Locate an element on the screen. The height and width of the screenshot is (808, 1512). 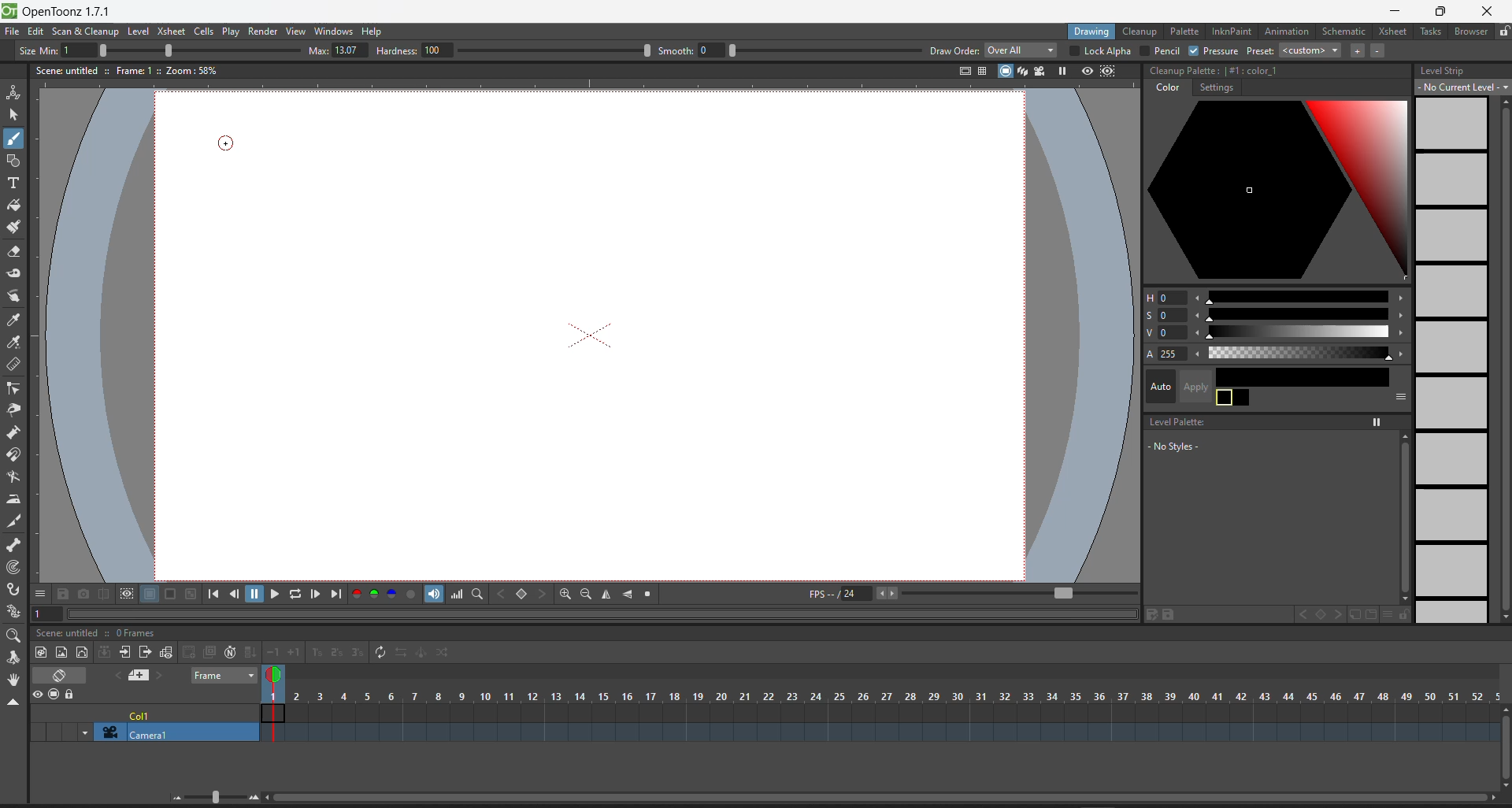
current frame is located at coordinates (276, 701).